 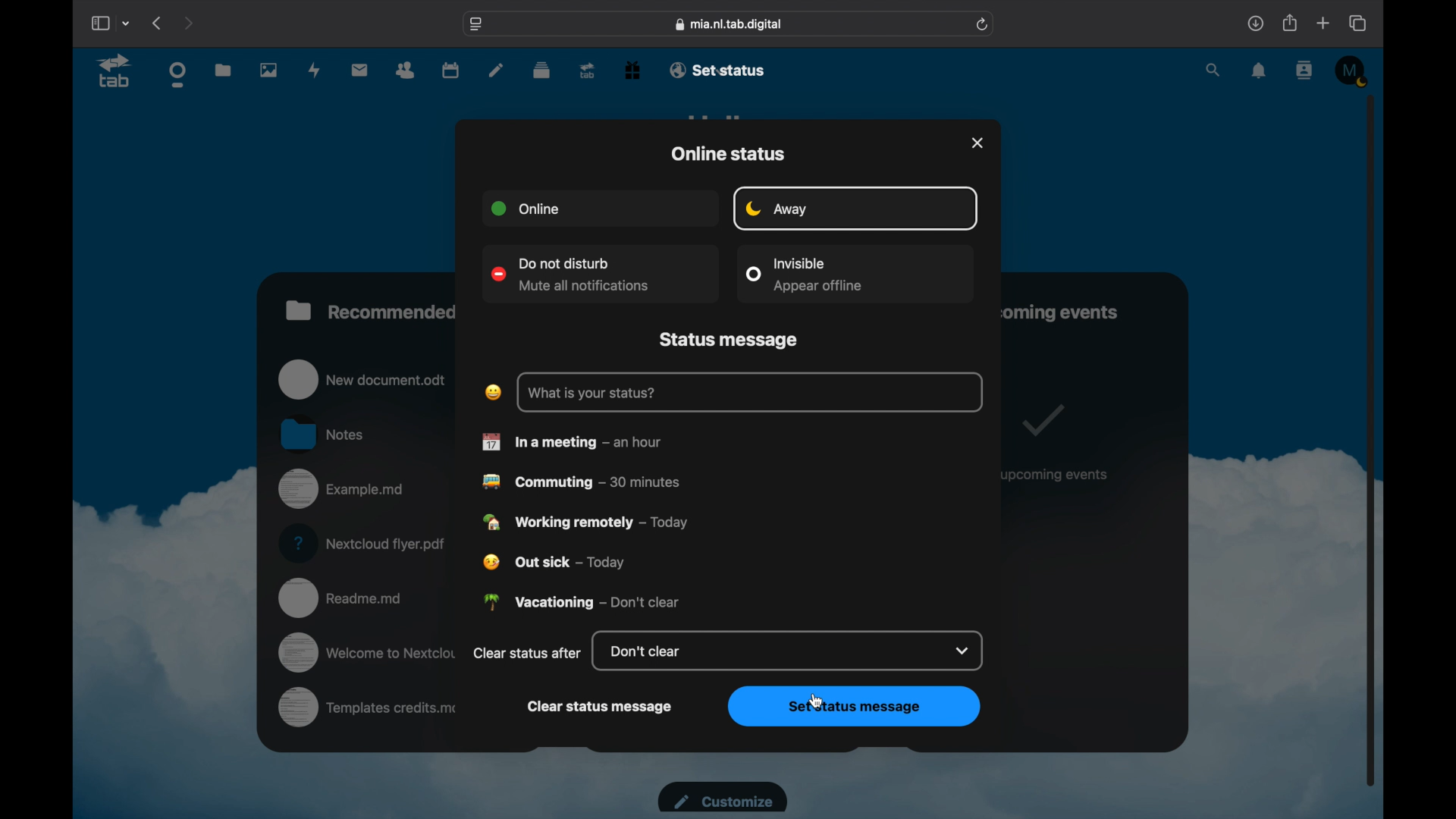 I want to click on contacts, so click(x=405, y=71).